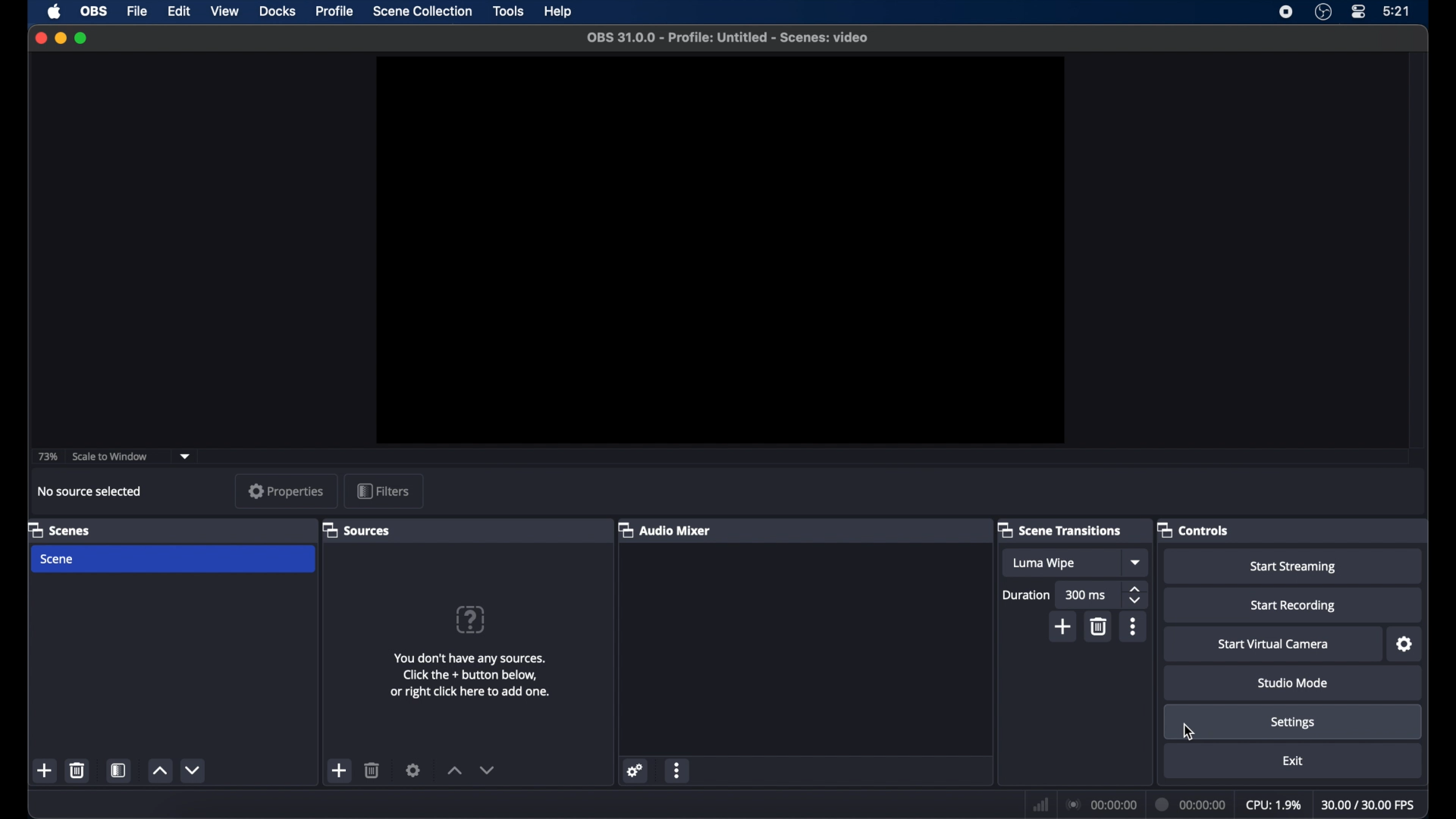 The image size is (1456, 819). What do you see at coordinates (1357, 12) in the screenshot?
I see `control center` at bounding box center [1357, 12].